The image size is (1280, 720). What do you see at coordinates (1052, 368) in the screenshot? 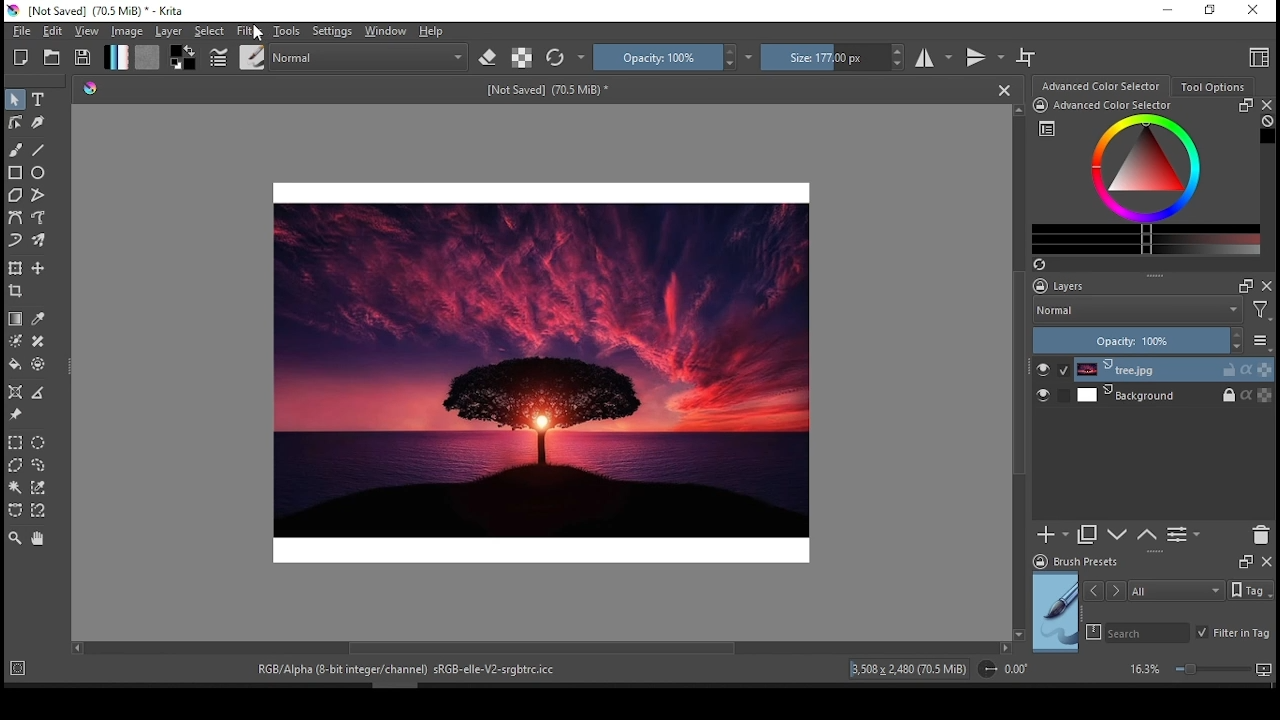
I see `layer visibility on/off` at bounding box center [1052, 368].